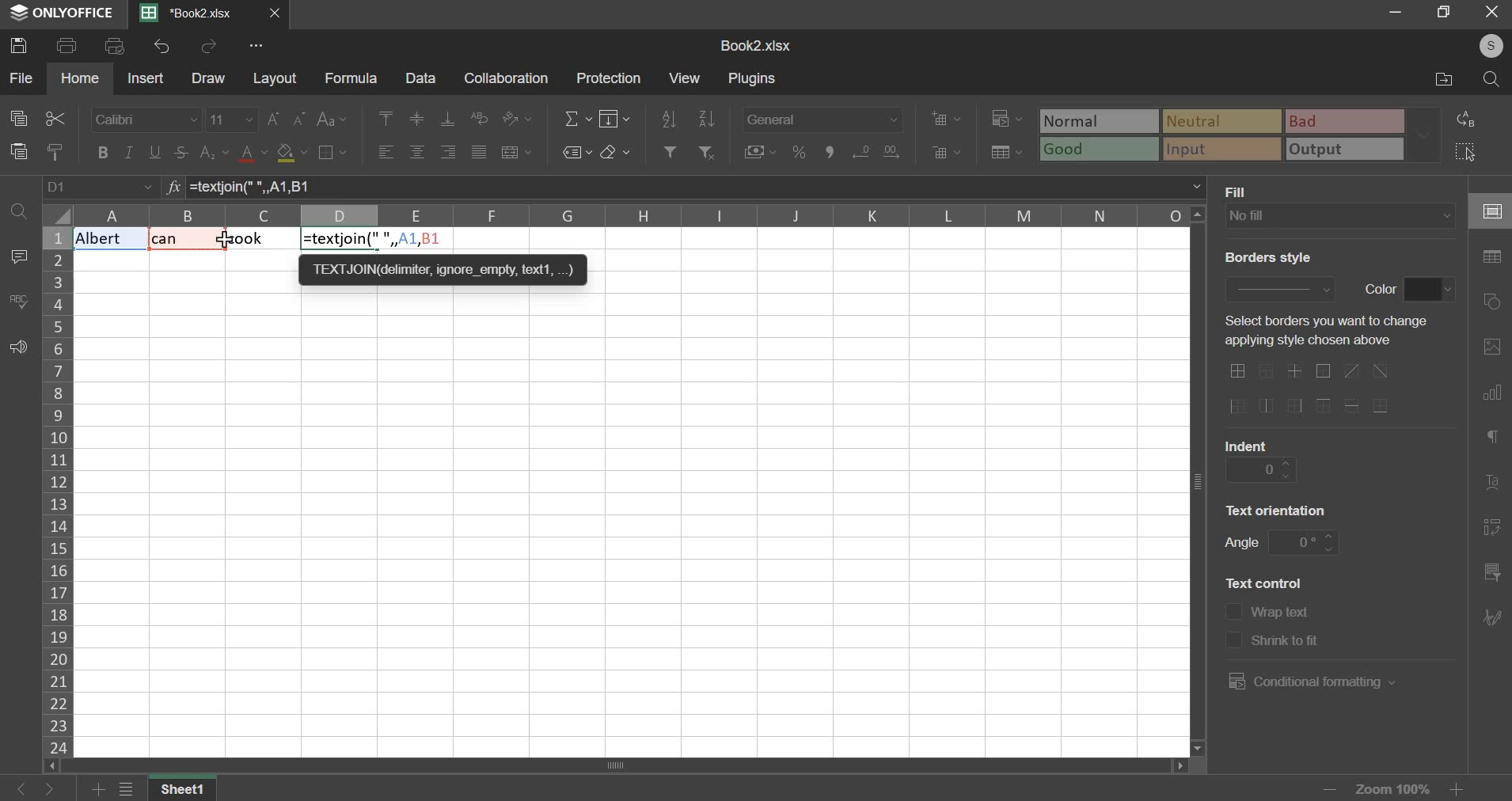 The height and width of the screenshot is (801, 1512). What do you see at coordinates (18, 348) in the screenshot?
I see `feedback` at bounding box center [18, 348].